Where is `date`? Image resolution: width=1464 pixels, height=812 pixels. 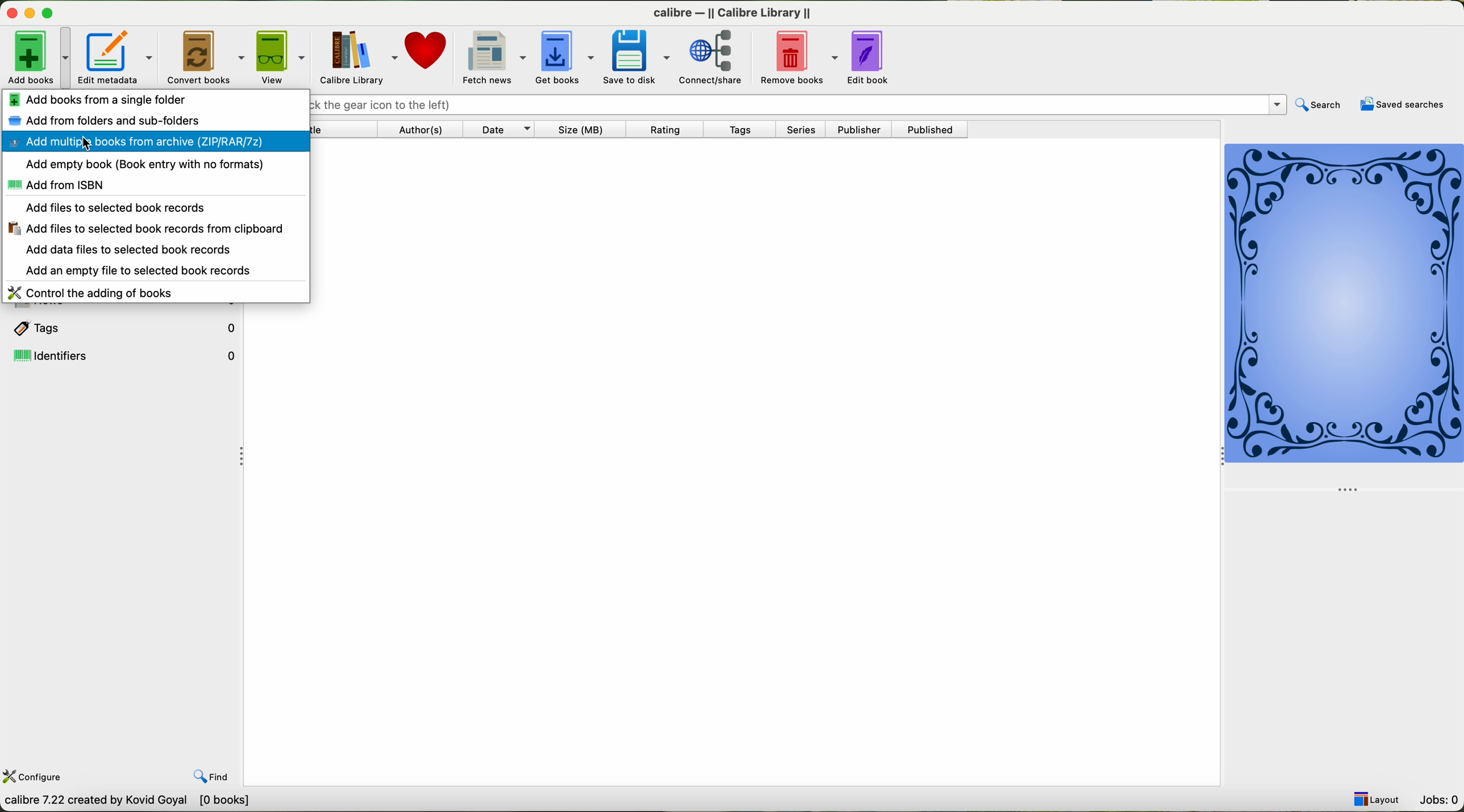
date is located at coordinates (504, 130).